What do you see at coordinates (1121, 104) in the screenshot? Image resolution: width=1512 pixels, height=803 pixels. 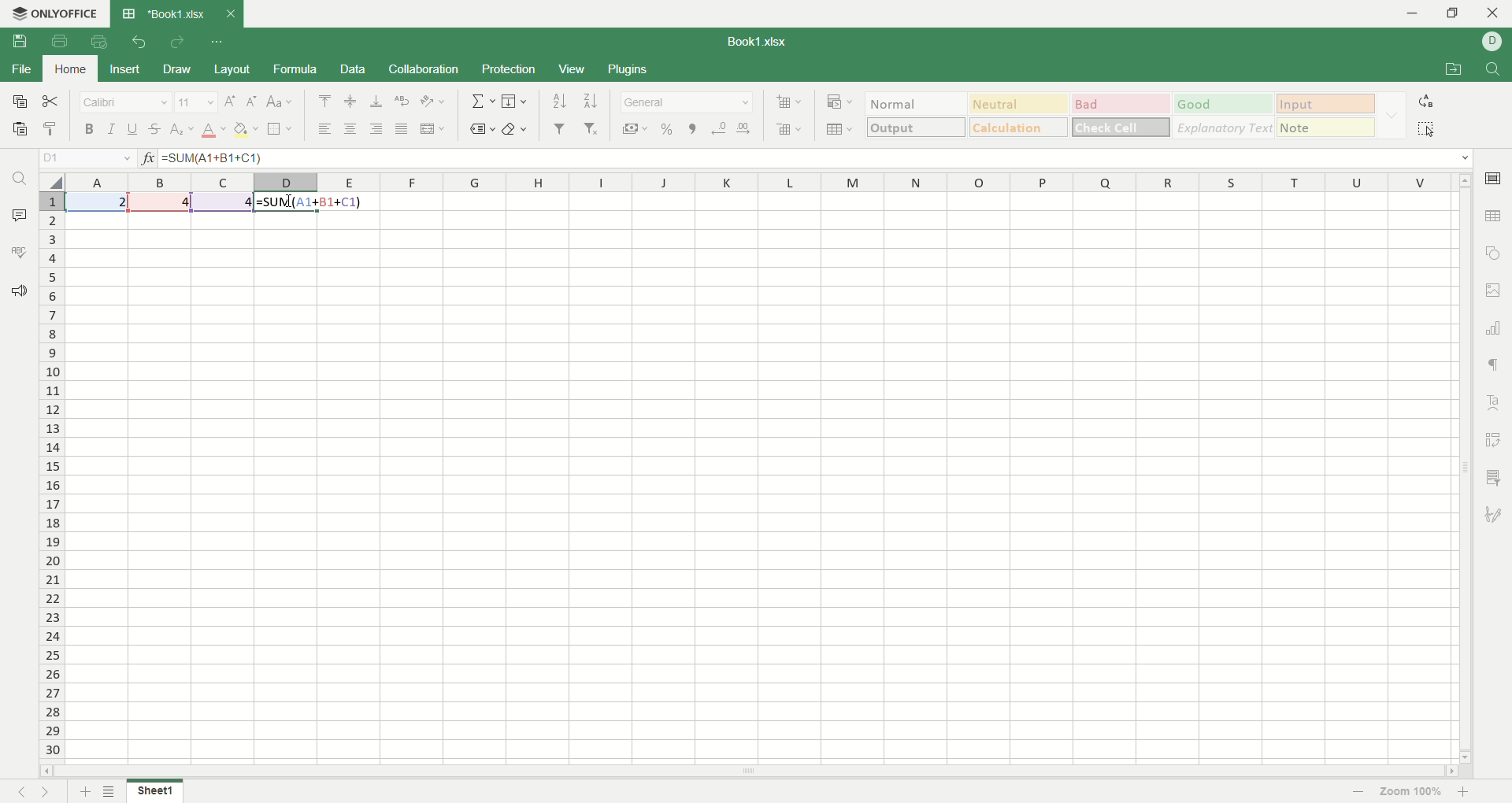 I see `bad` at bounding box center [1121, 104].